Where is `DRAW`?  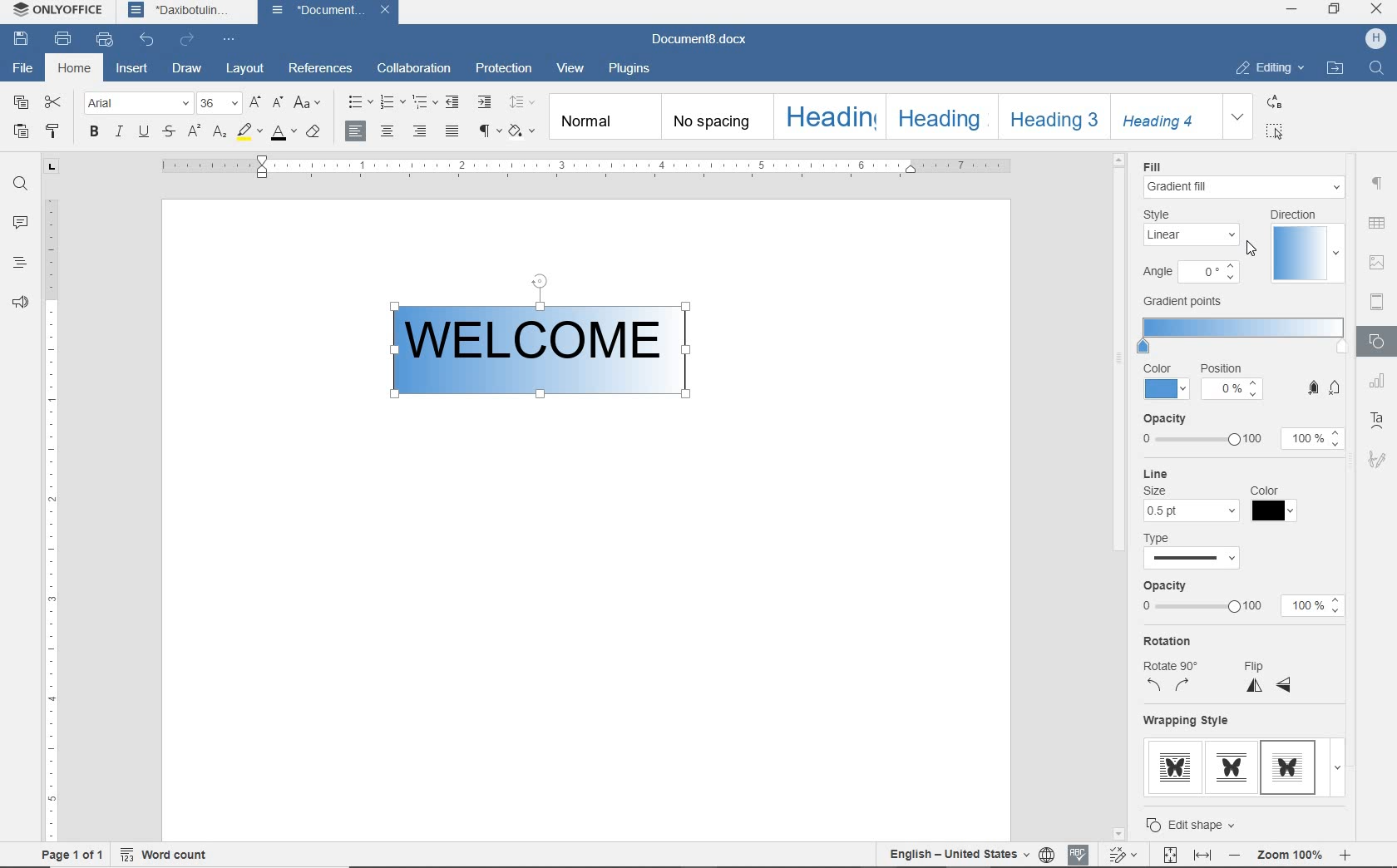 DRAW is located at coordinates (186, 70).